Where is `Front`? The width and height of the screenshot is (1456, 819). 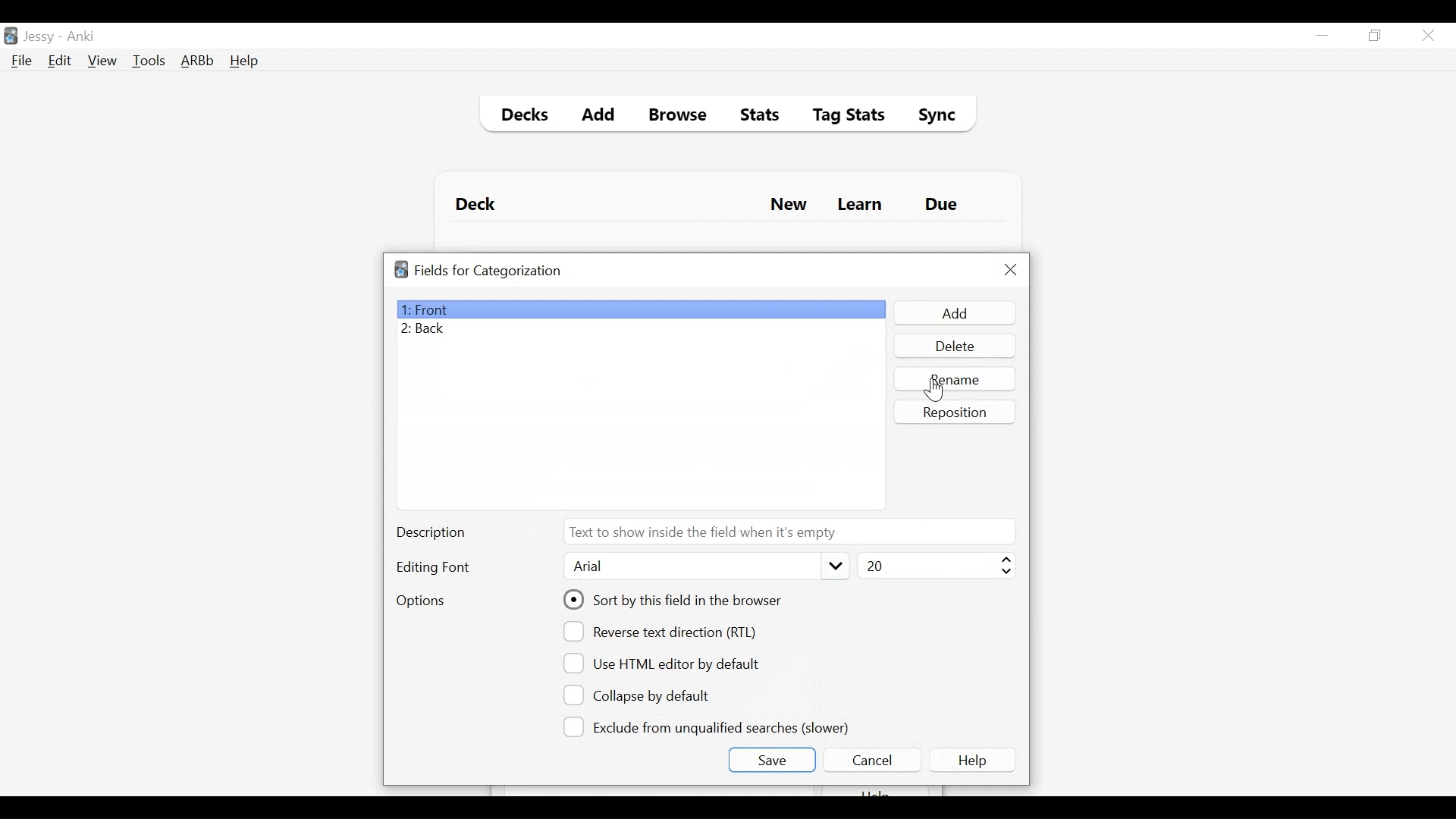
Front is located at coordinates (640, 309).